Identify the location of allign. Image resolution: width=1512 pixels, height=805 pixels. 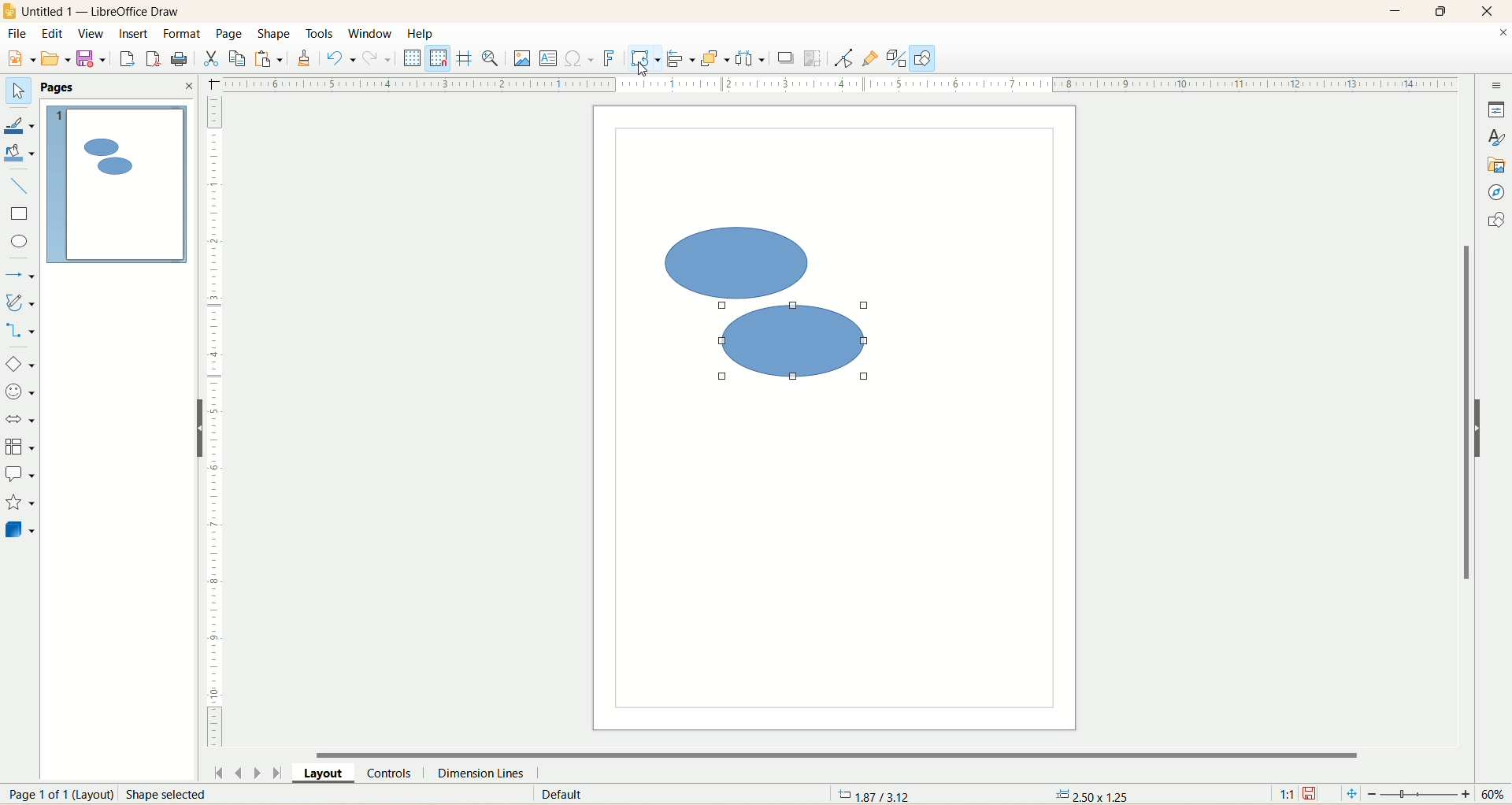
(679, 61).